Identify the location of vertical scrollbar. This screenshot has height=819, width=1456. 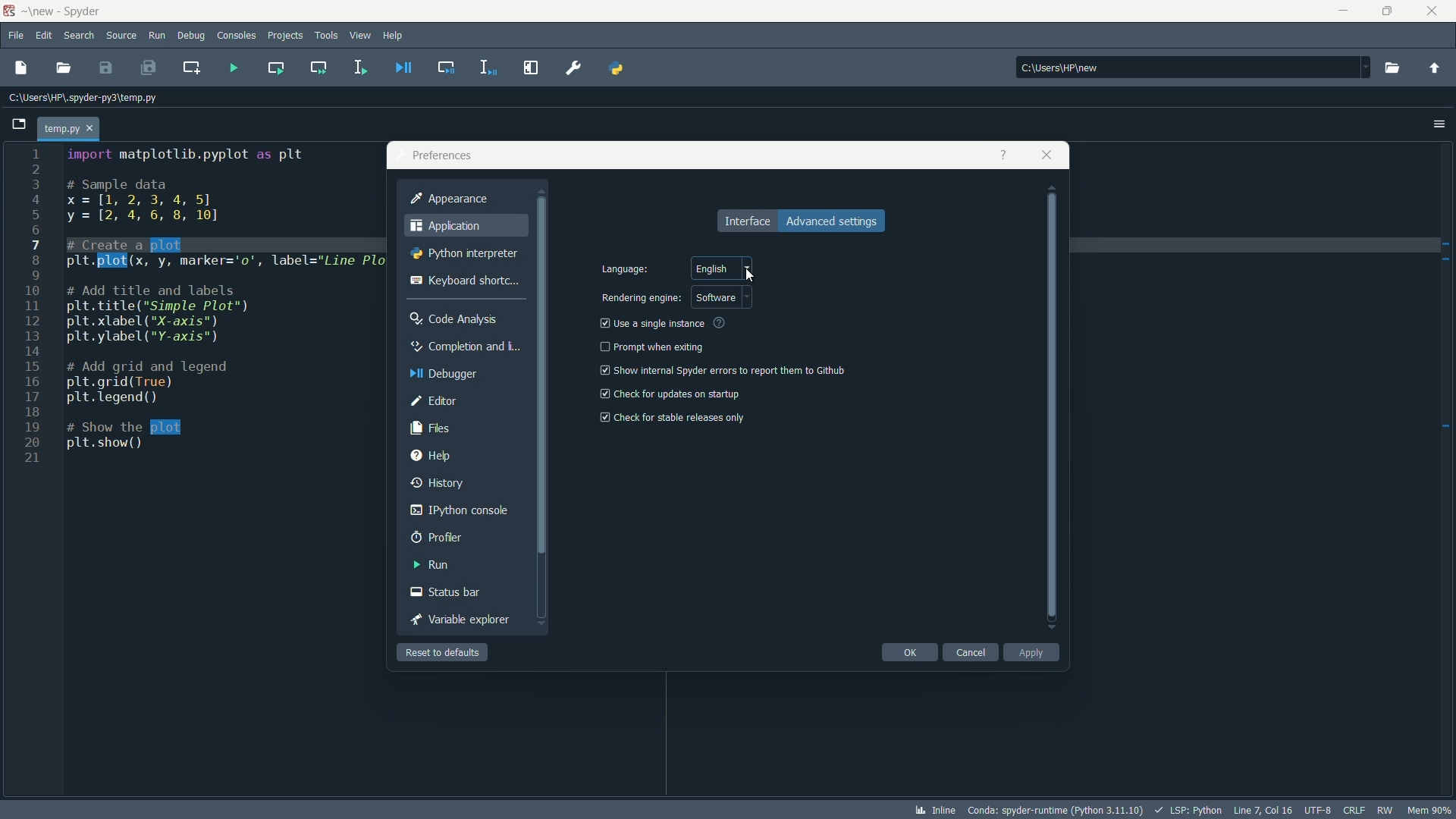
(543, 410).